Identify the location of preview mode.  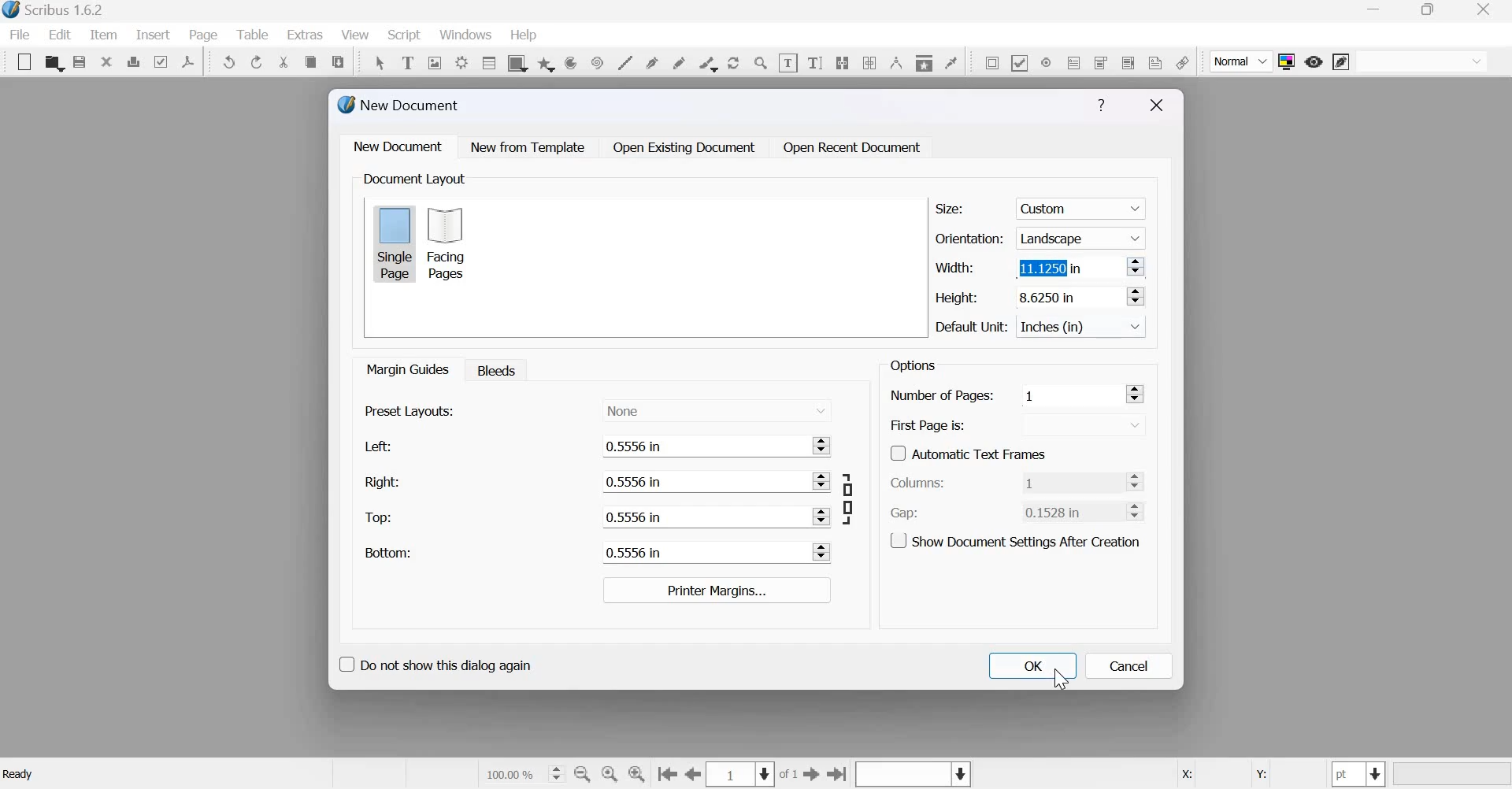
(1314, 61).